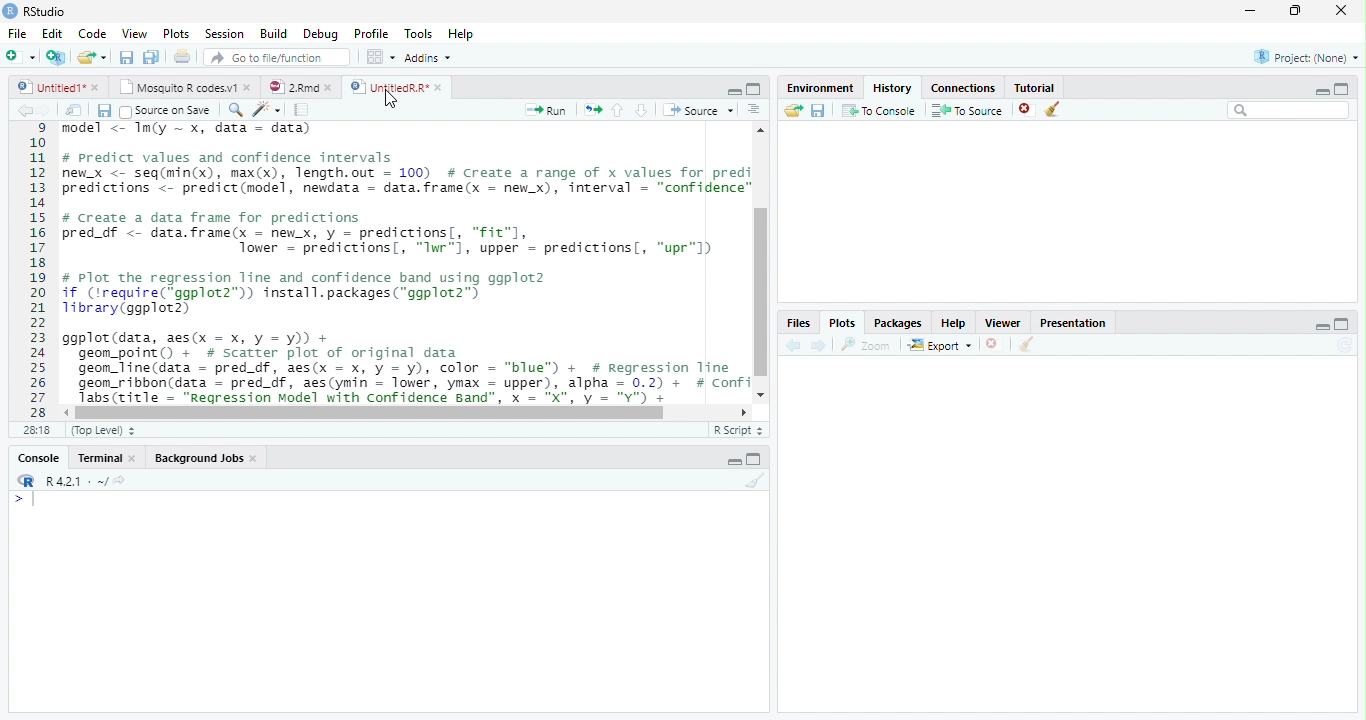  I want to click on Alignment, so click(753, 110).